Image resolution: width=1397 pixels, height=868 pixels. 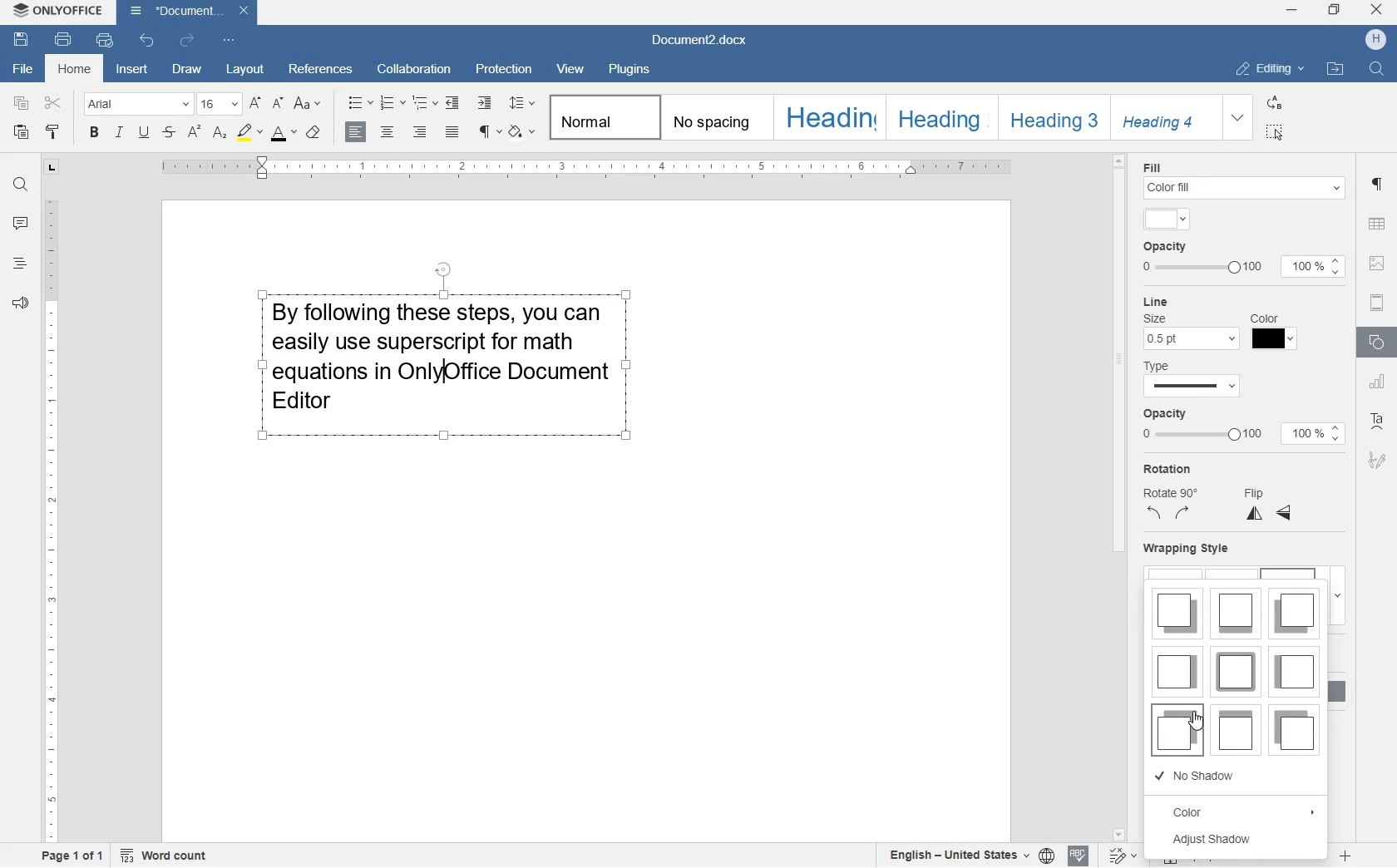 I want to click on NO SHADOW, so click(x=1218, y=779).